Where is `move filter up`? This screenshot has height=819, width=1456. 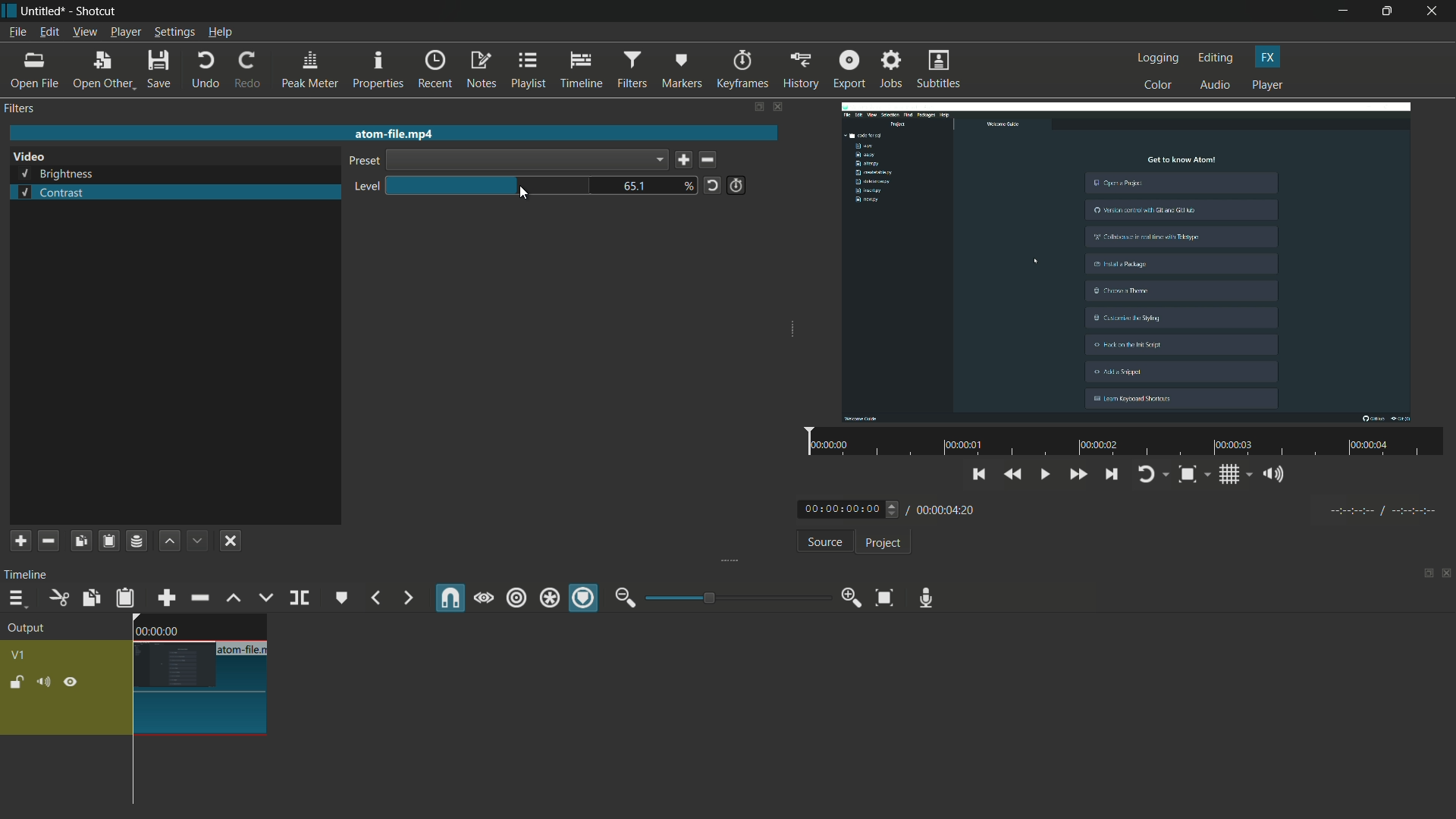
move filter up is located at coordinates (169, 541).